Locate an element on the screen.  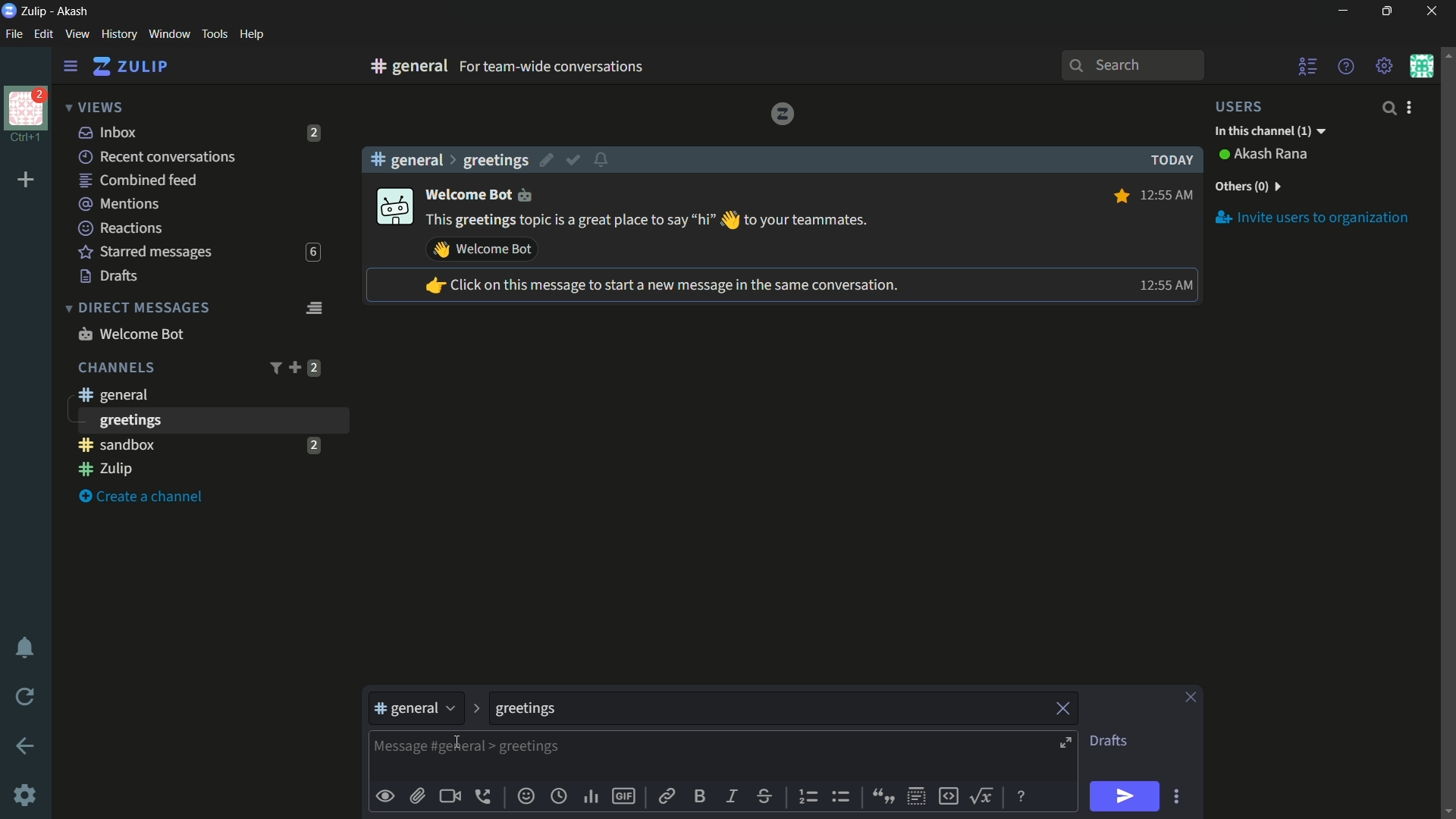
Zulip is located at coordinates (36, 11).